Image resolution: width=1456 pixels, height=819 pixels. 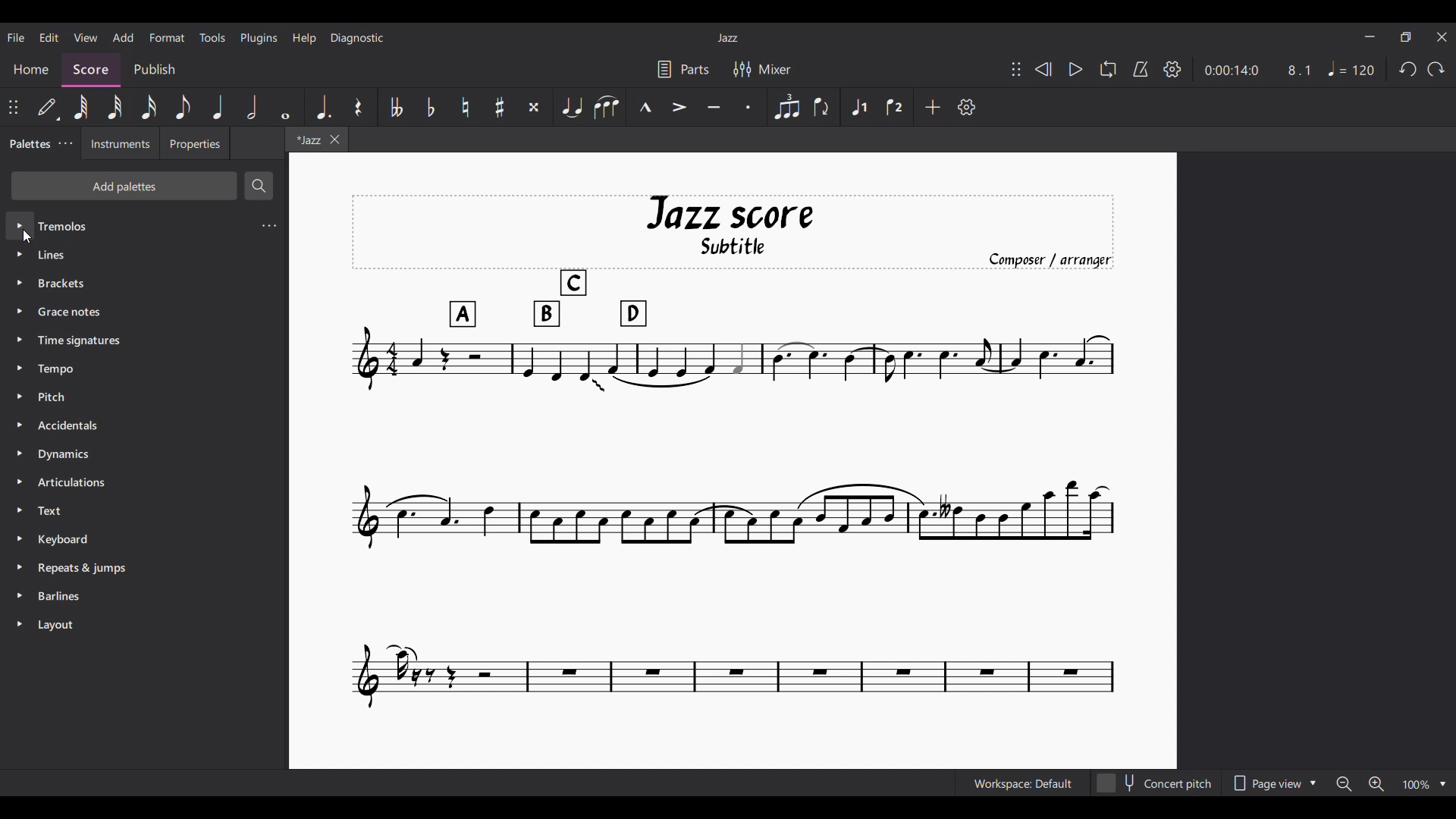 What do you see at coordinates (124, 37) in the screenshot?
I see `Add` at bounding box center [124, 37].